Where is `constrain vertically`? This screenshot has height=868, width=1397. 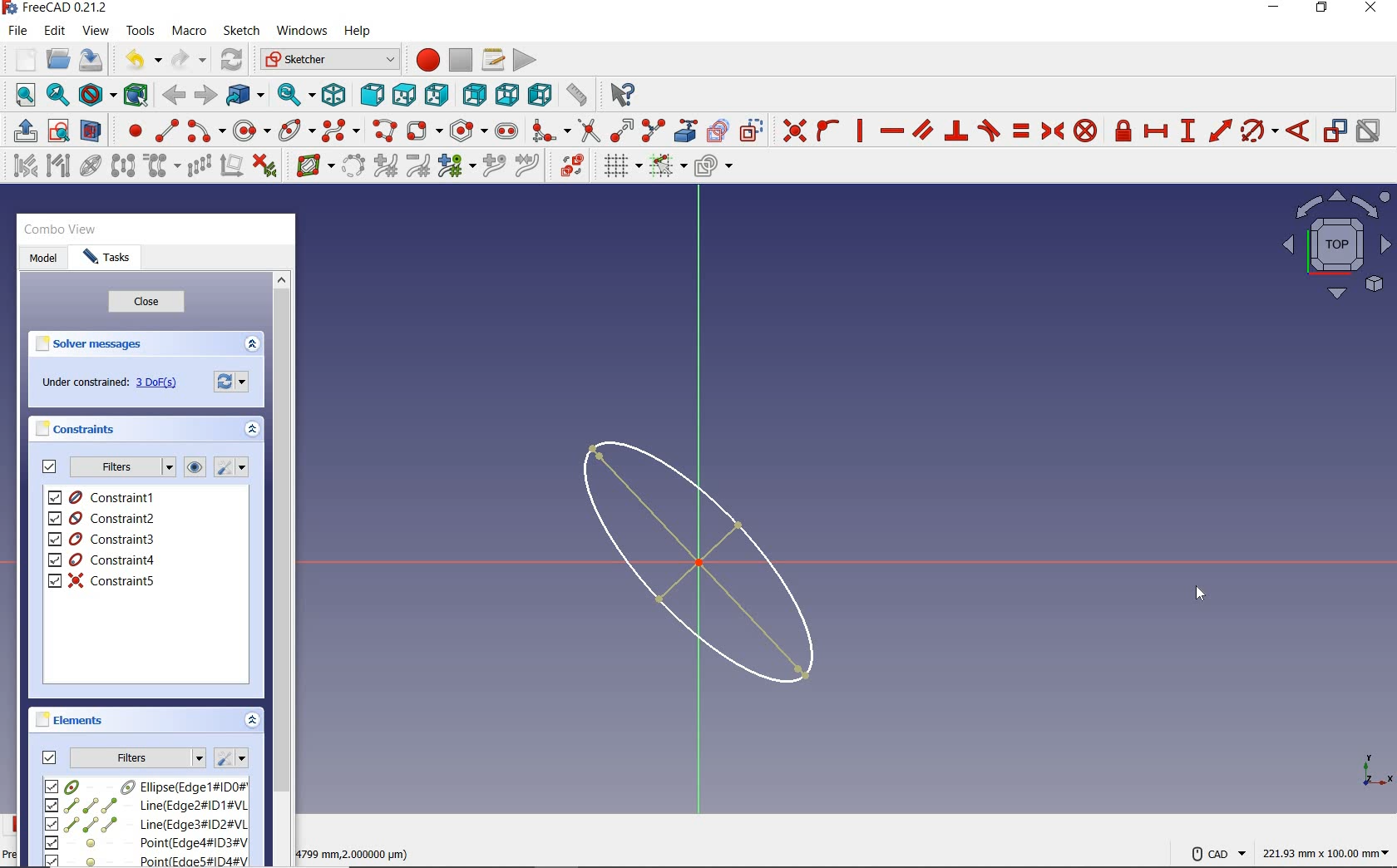 constrain vertically is located at coordinates (860, 131).